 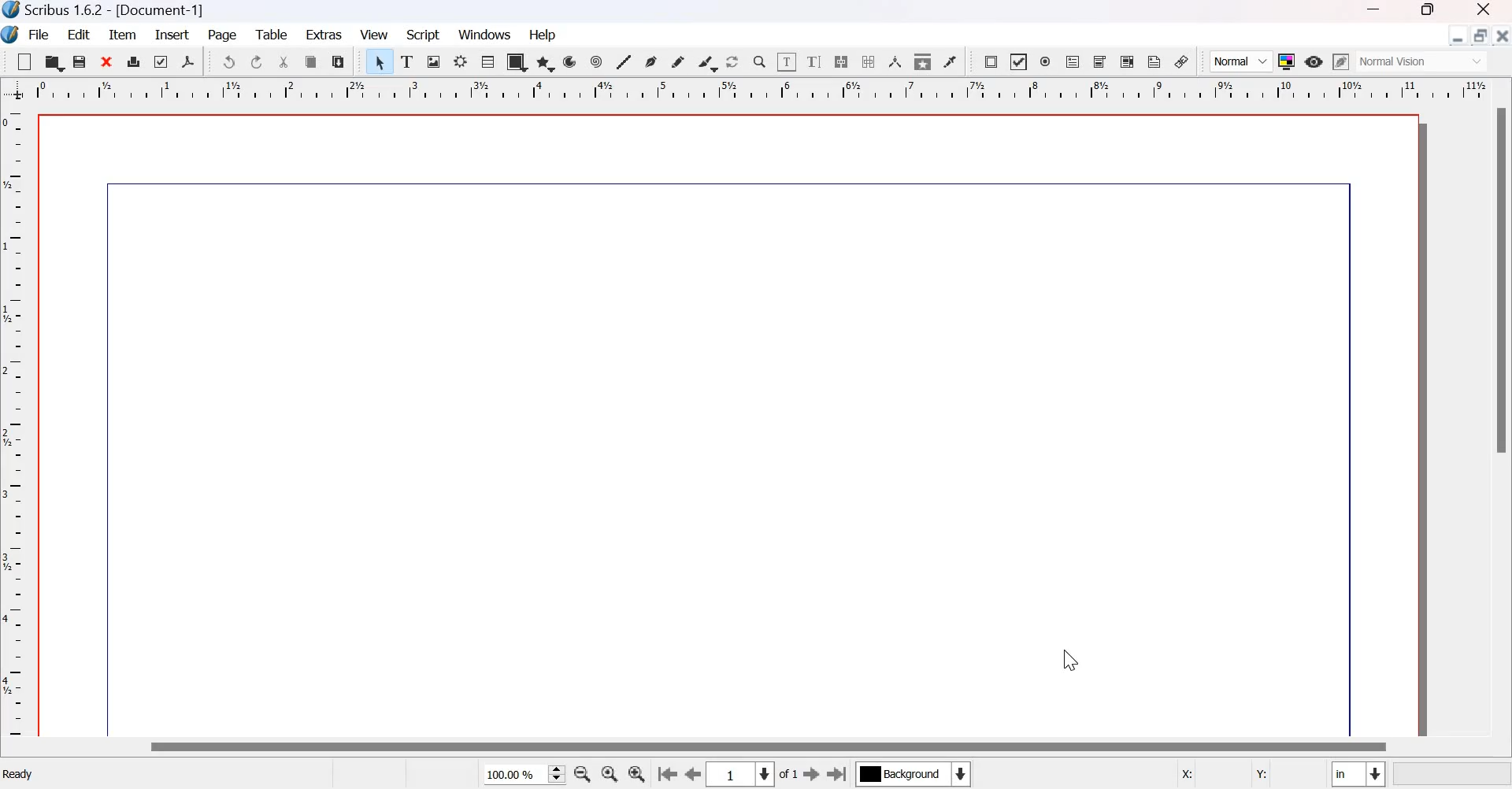 What do you see at coordinates (666, 774) in the screenshot?
I see `Go to the first page` at bounding box center [666, 774].